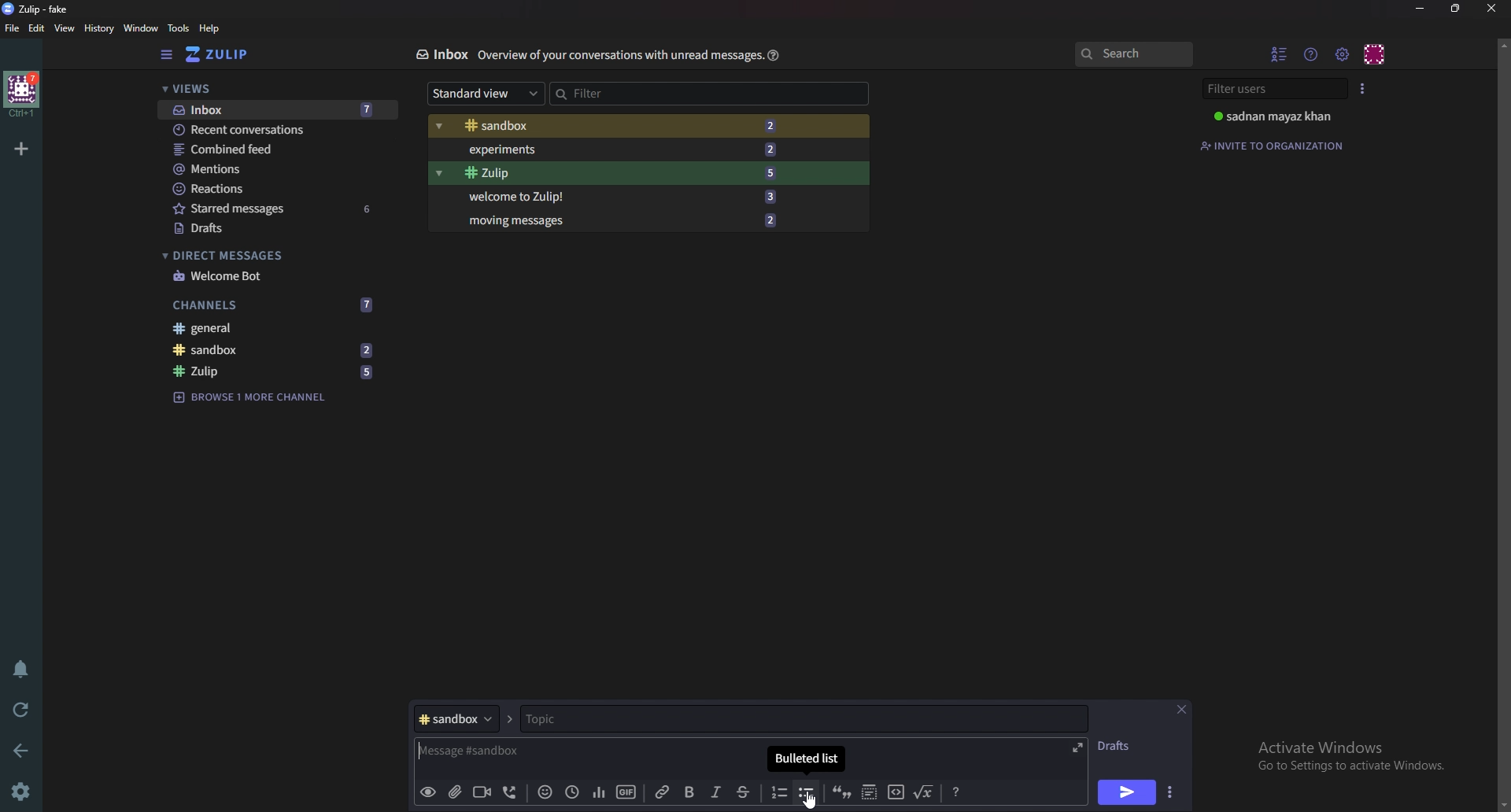  I want to click on Help menu, so click(1312, 54).